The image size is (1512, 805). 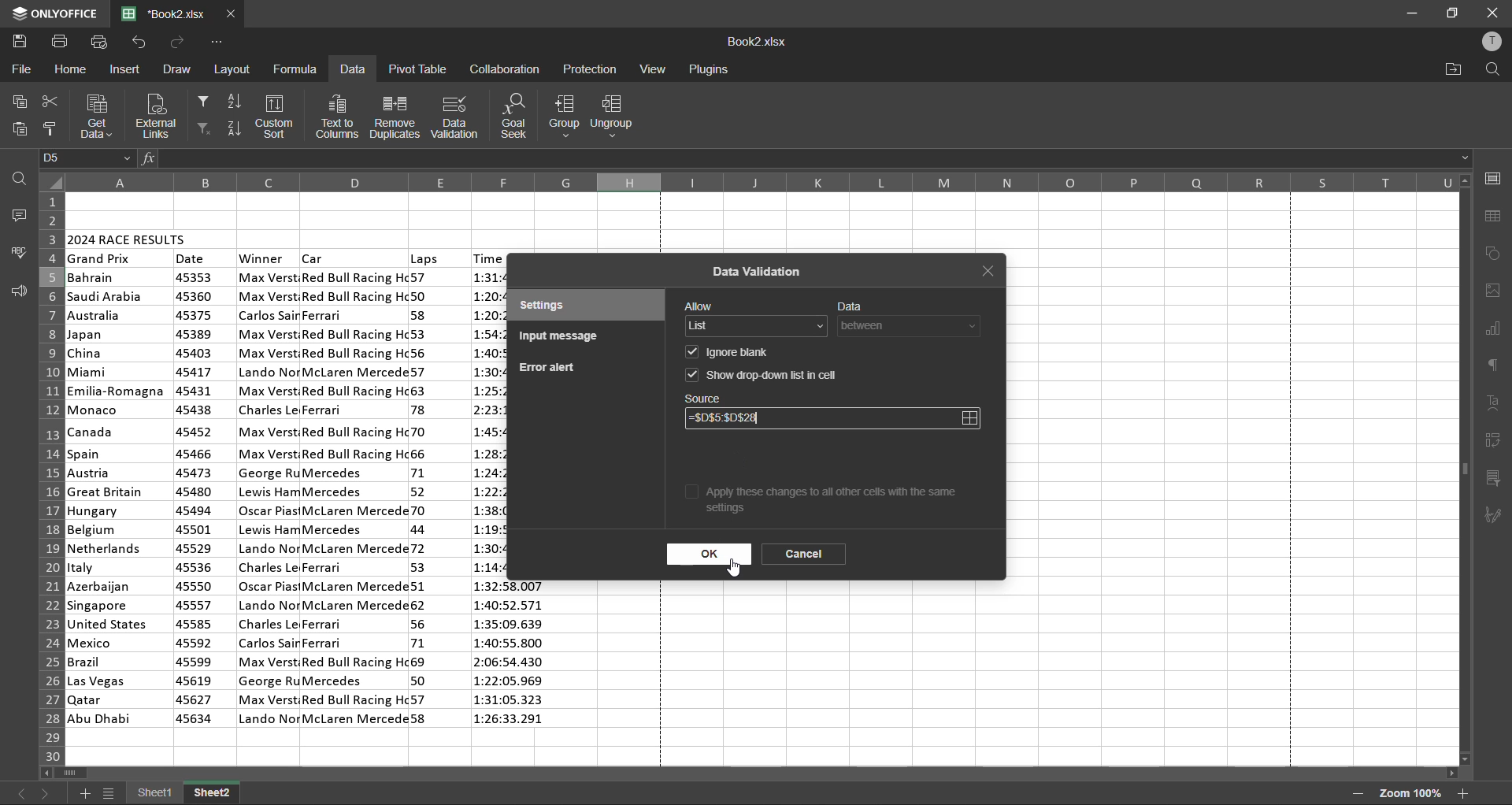 What do you see at coordinates (689, 353) in the screenshot?
I see `checkbox` at bounding box center [689, 353].